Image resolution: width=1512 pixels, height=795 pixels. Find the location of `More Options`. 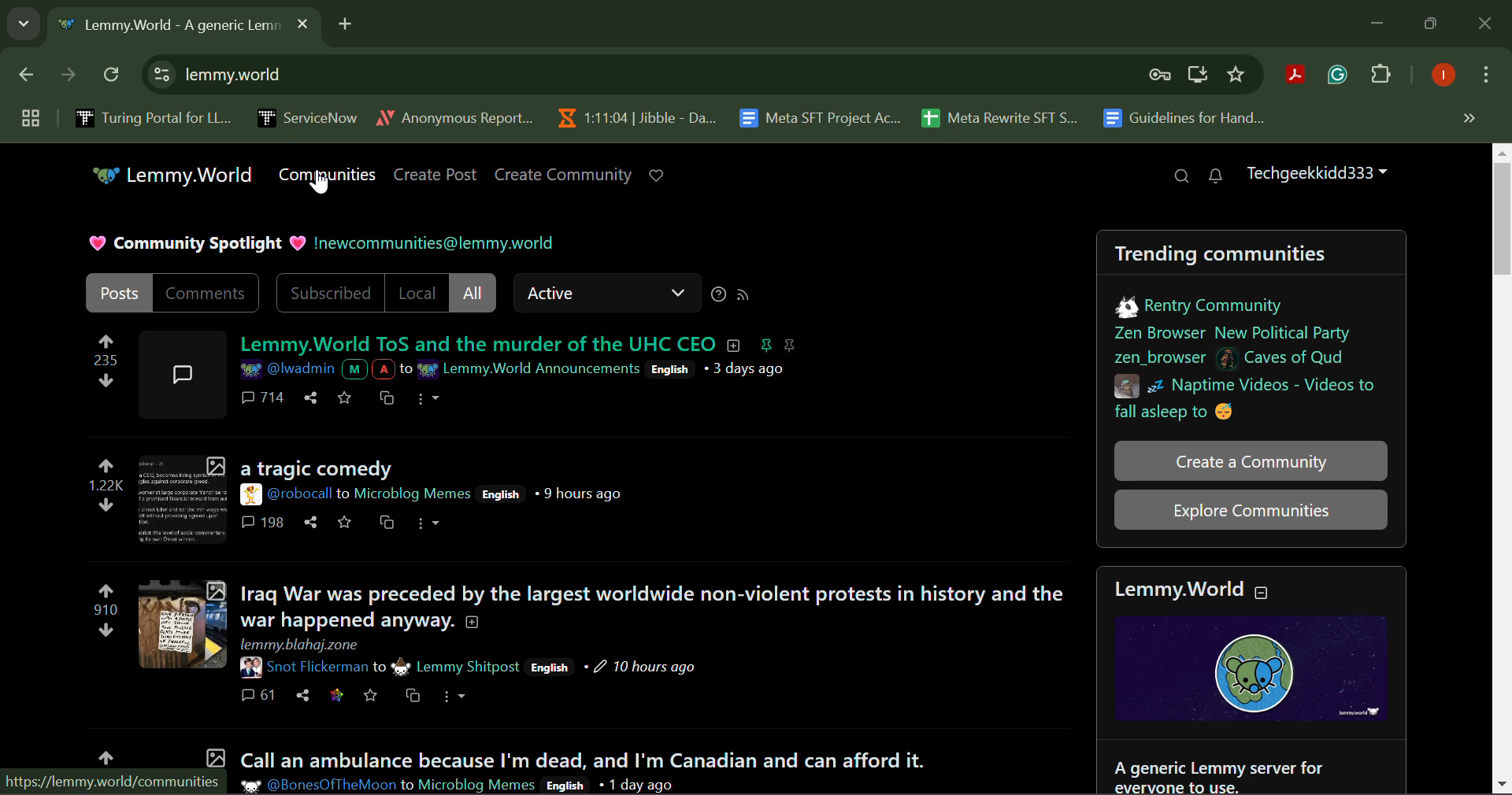

More Options is located at coordinates (1484, 78).